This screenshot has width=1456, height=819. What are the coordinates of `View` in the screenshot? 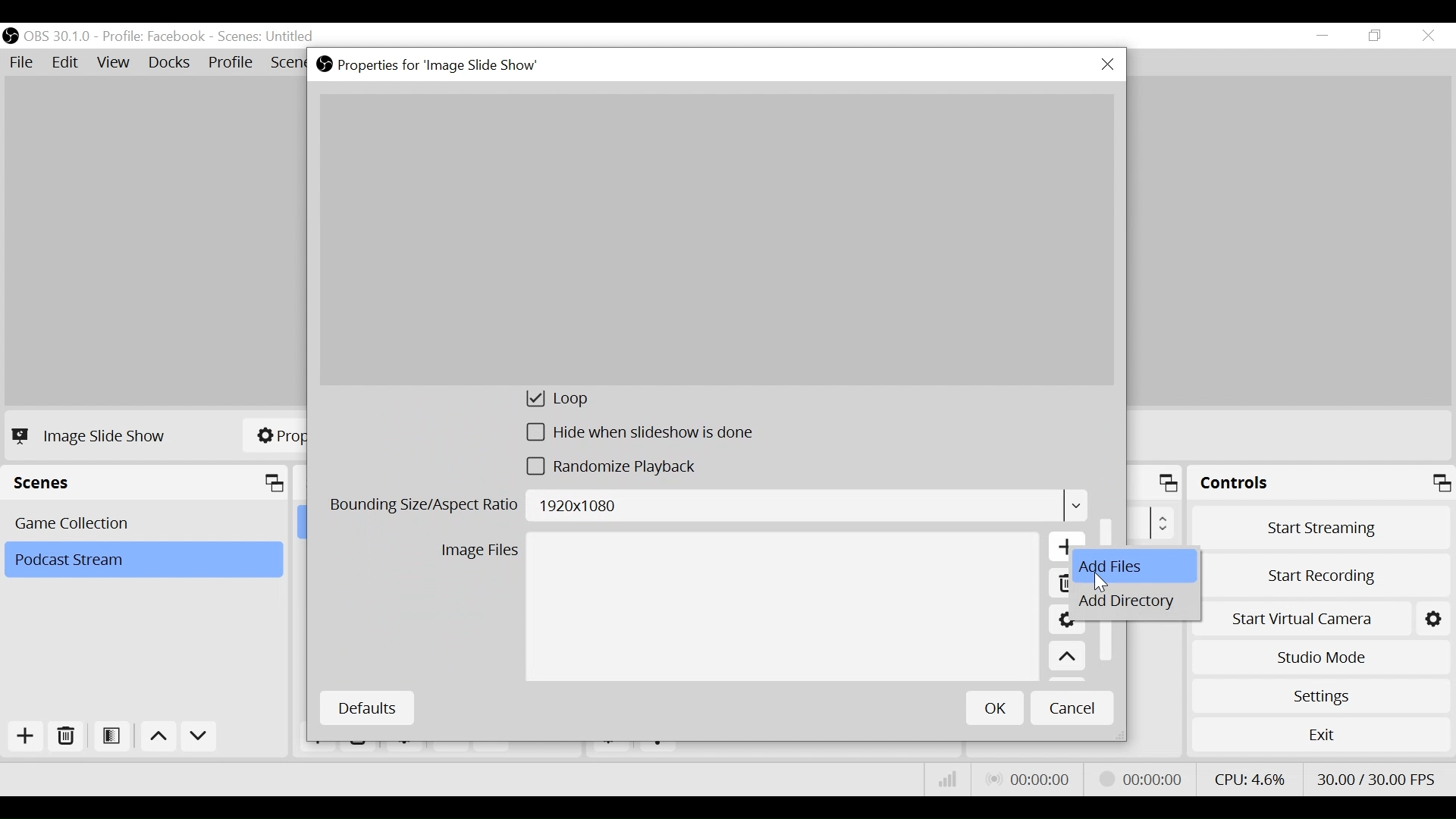 It's located at (116, 64).